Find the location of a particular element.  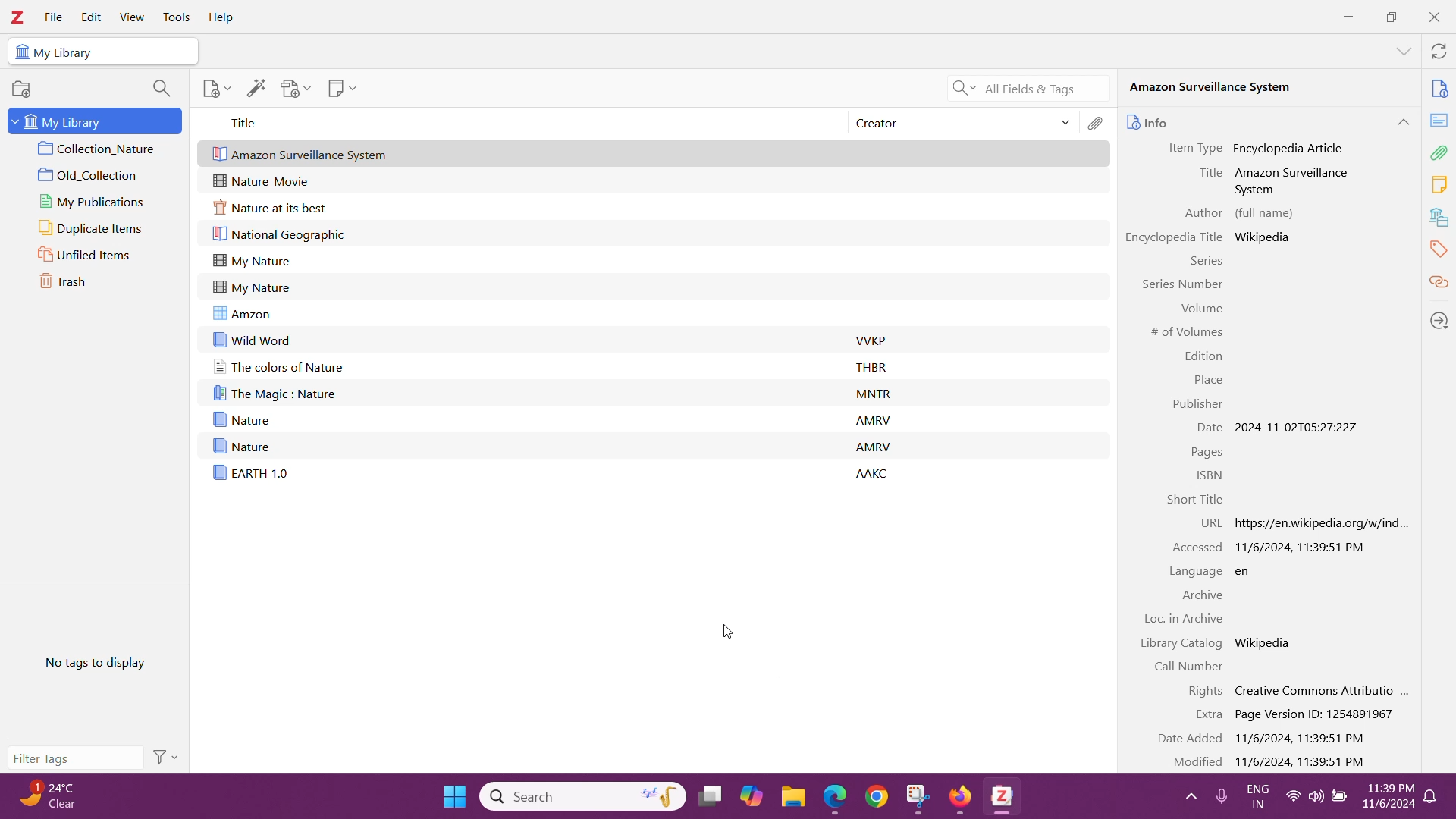

List all Tabs is located at coordinates (1404, 53).